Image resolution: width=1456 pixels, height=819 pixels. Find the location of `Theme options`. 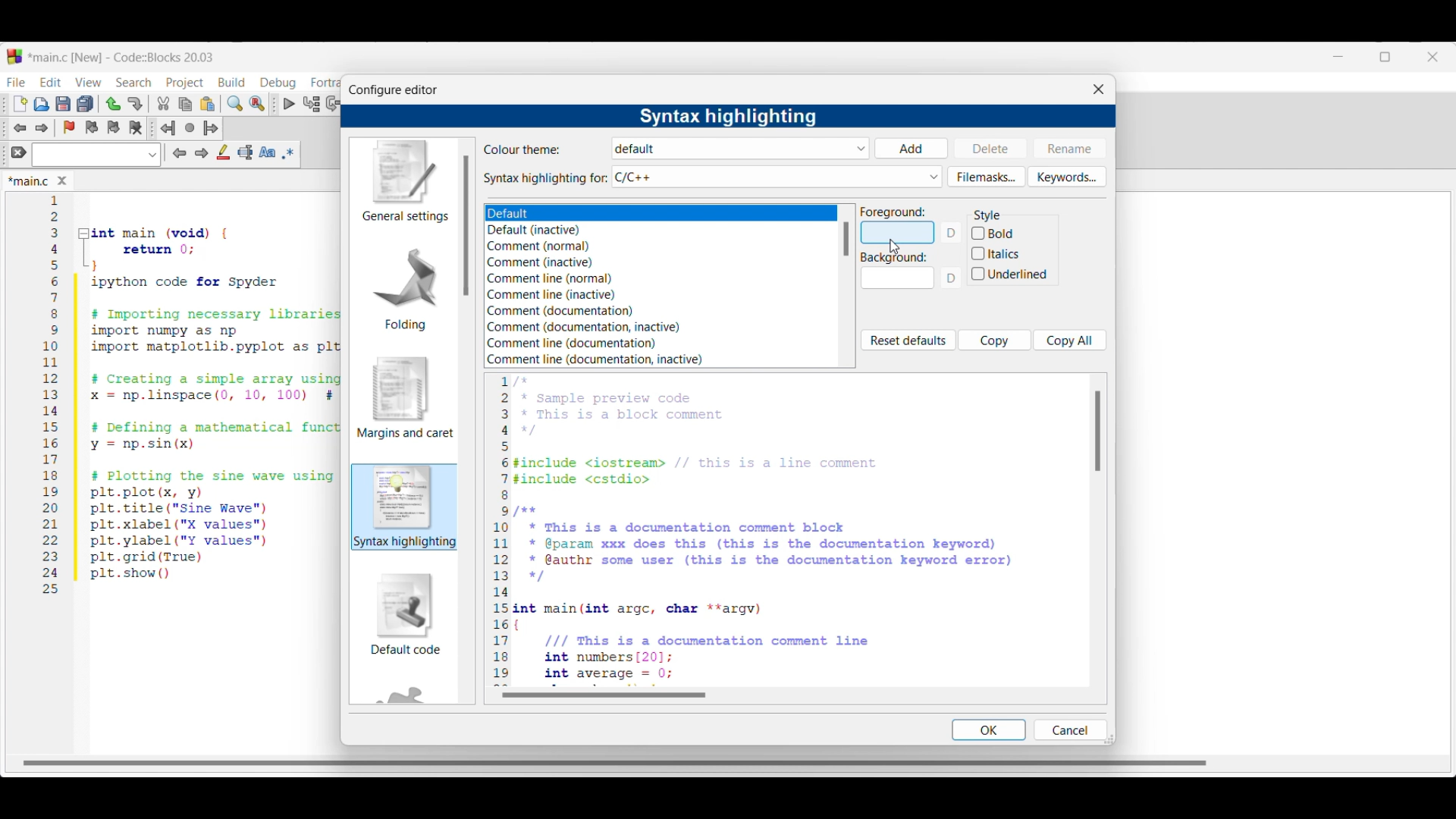

Theme options is located at coordinates (595, 214).